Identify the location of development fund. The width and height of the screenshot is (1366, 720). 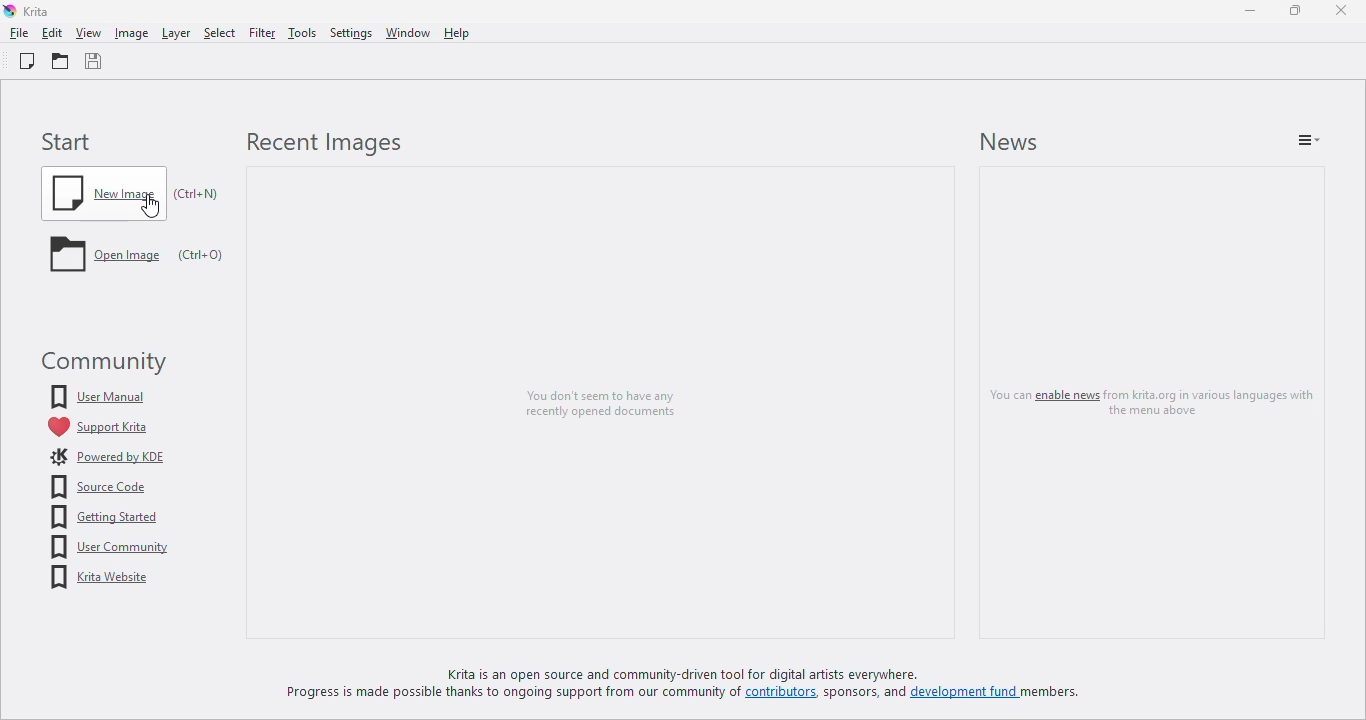
(964, 696).